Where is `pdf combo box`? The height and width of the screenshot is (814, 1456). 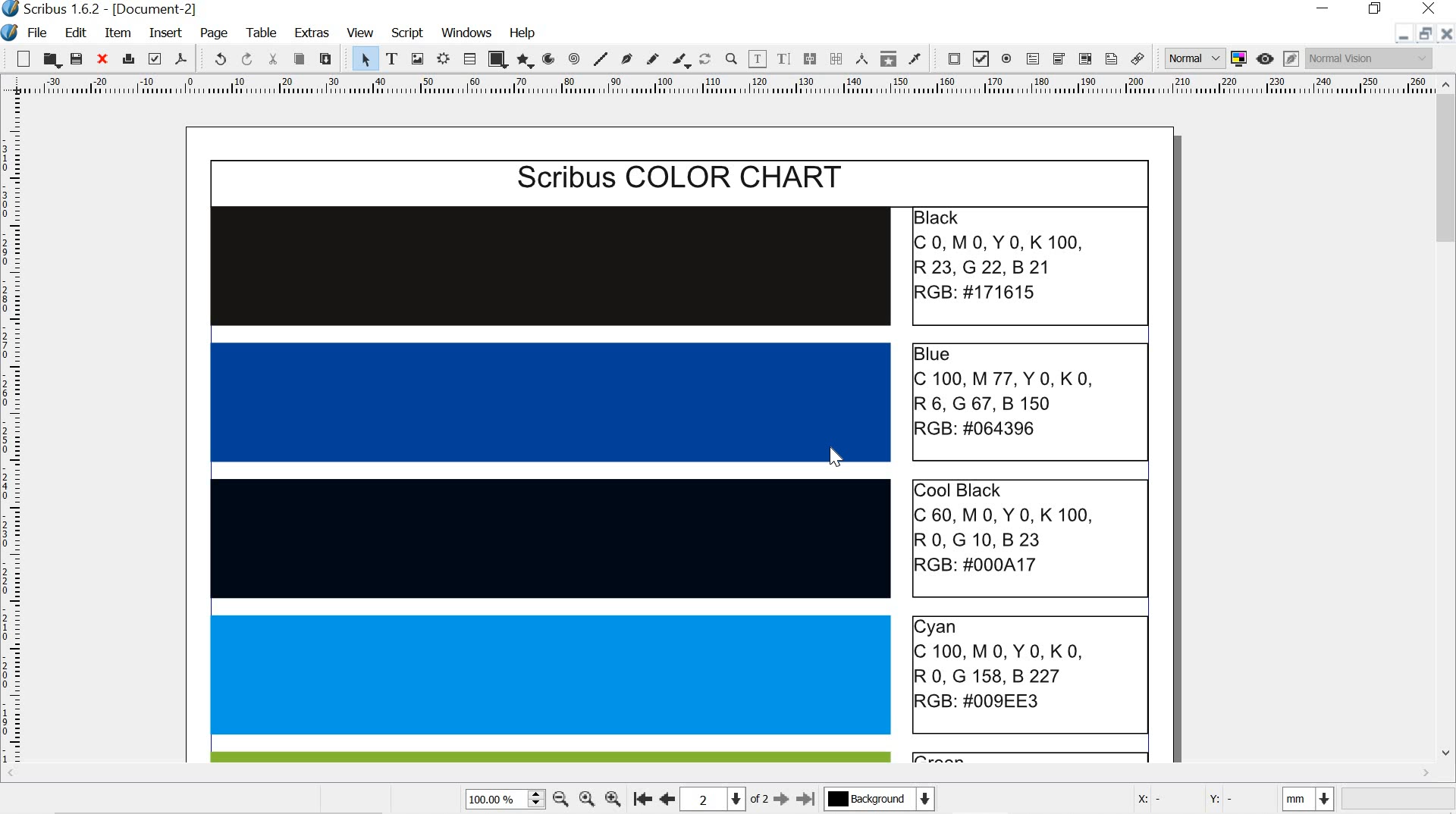
pdf combo box is located at coordinates (1059, 59).